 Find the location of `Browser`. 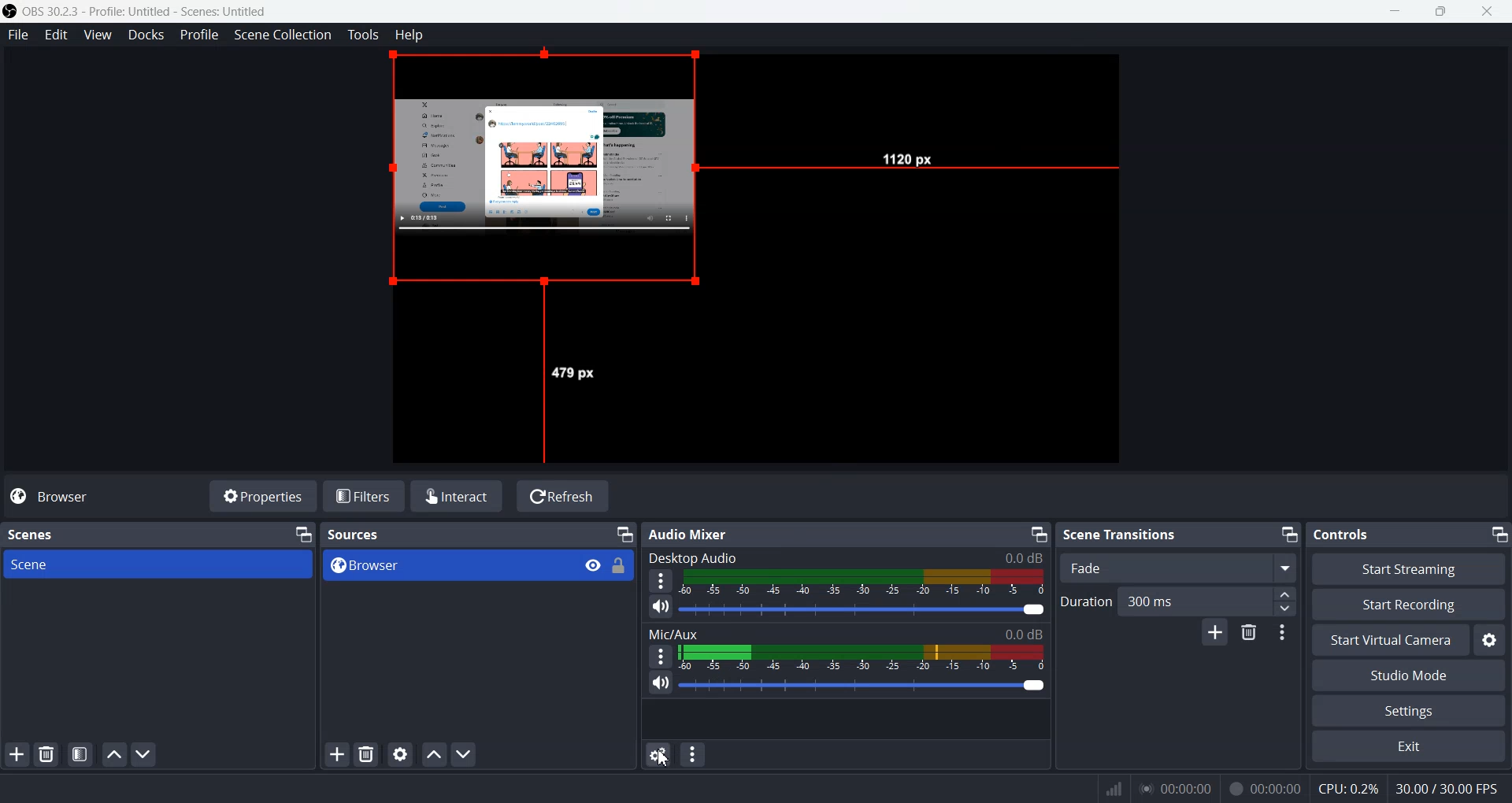

Browser is located at coordinates (444, 566).